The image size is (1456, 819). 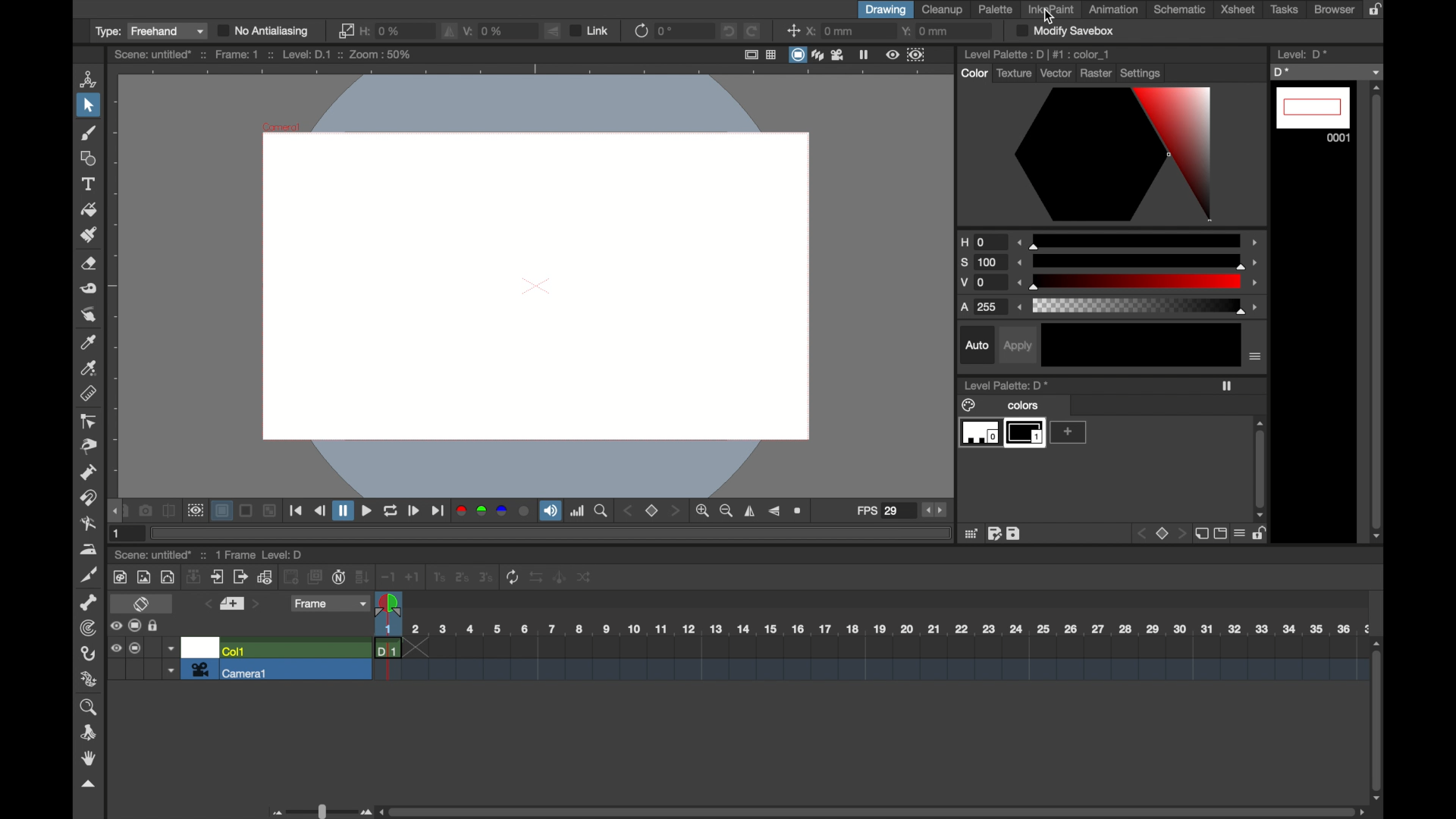 I want to click on x, so click(x=831, y=31).